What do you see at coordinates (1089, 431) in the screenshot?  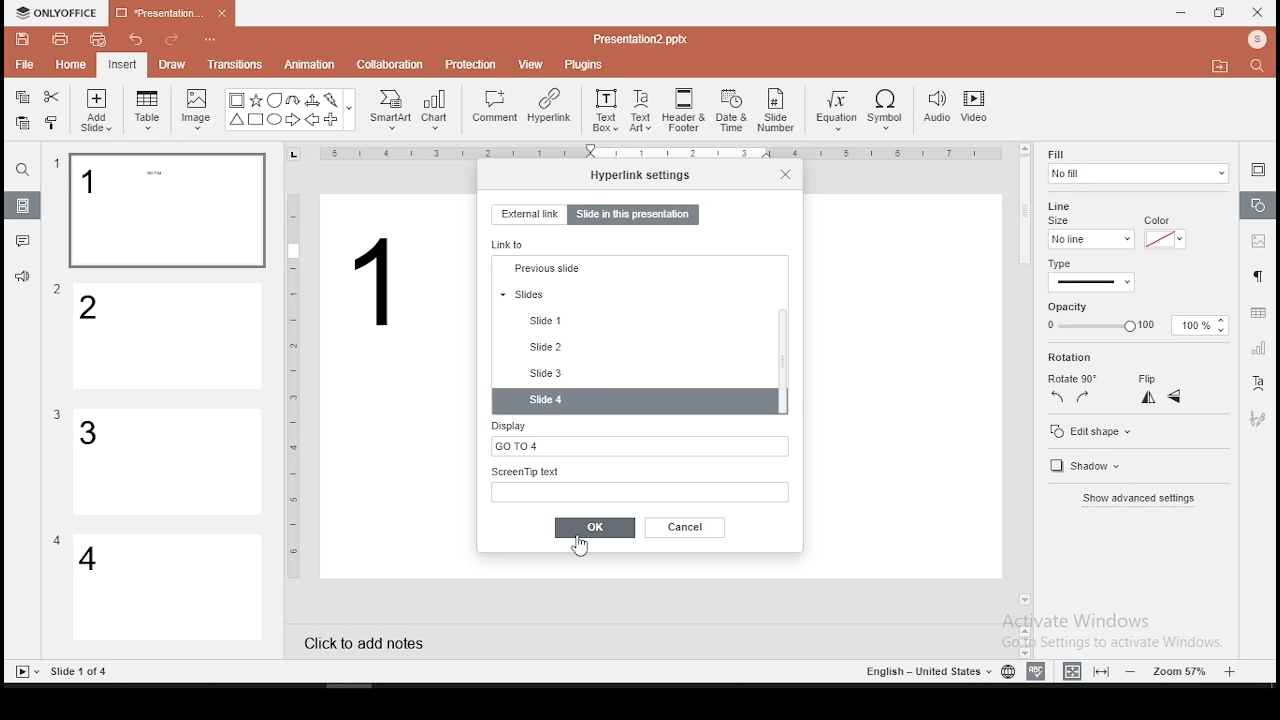 I see `edit shape` at bounding box center [1089, 431].